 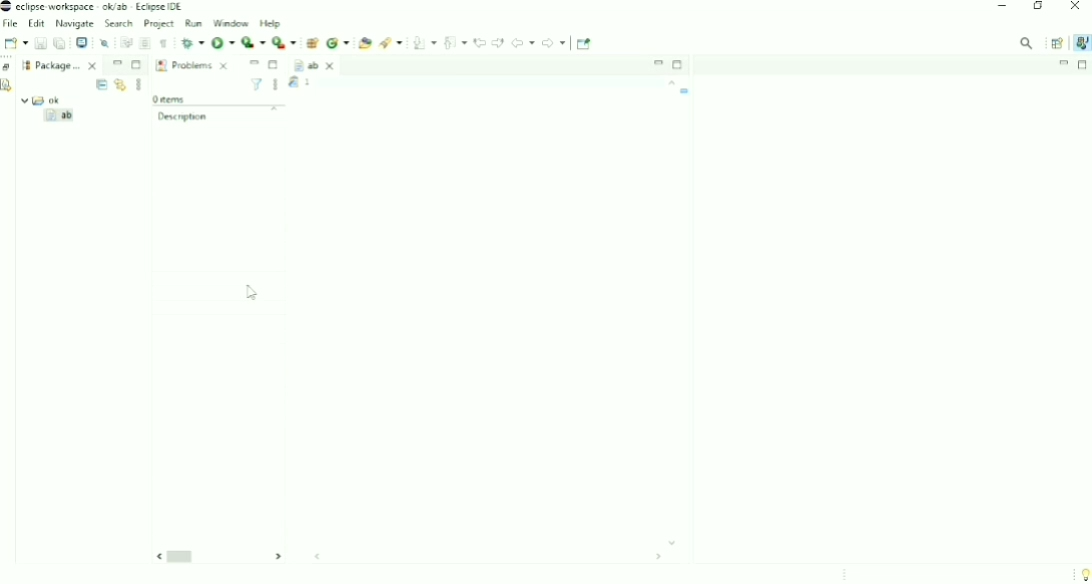 I want to click on Horizontal scrollbar, so click(x=418, y=556).